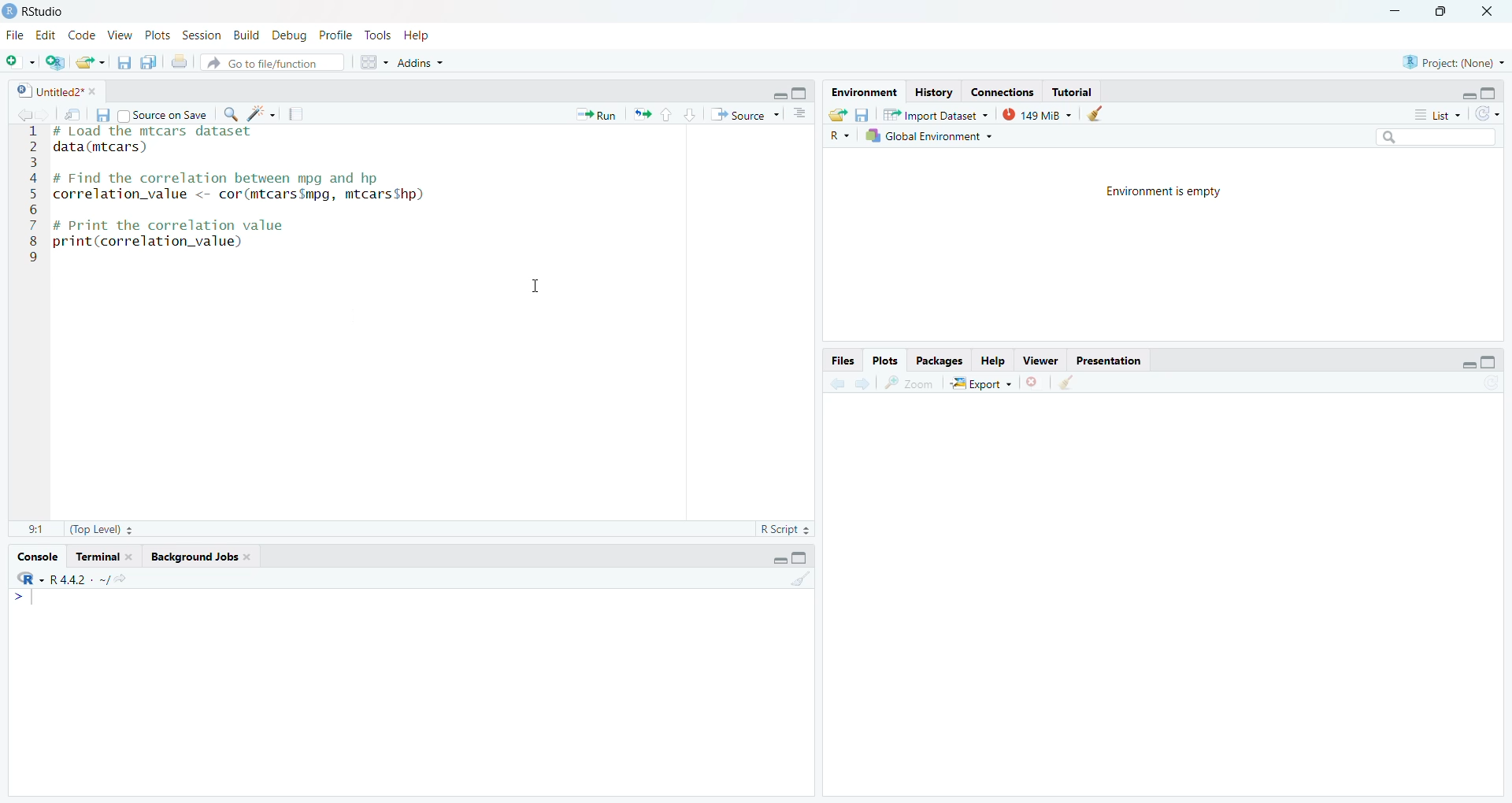 The width and height of the screenshot is (1512, 803). Describe the element at coordinates (122, 579) in the screenshot. I see `View the current working directory` at that location.